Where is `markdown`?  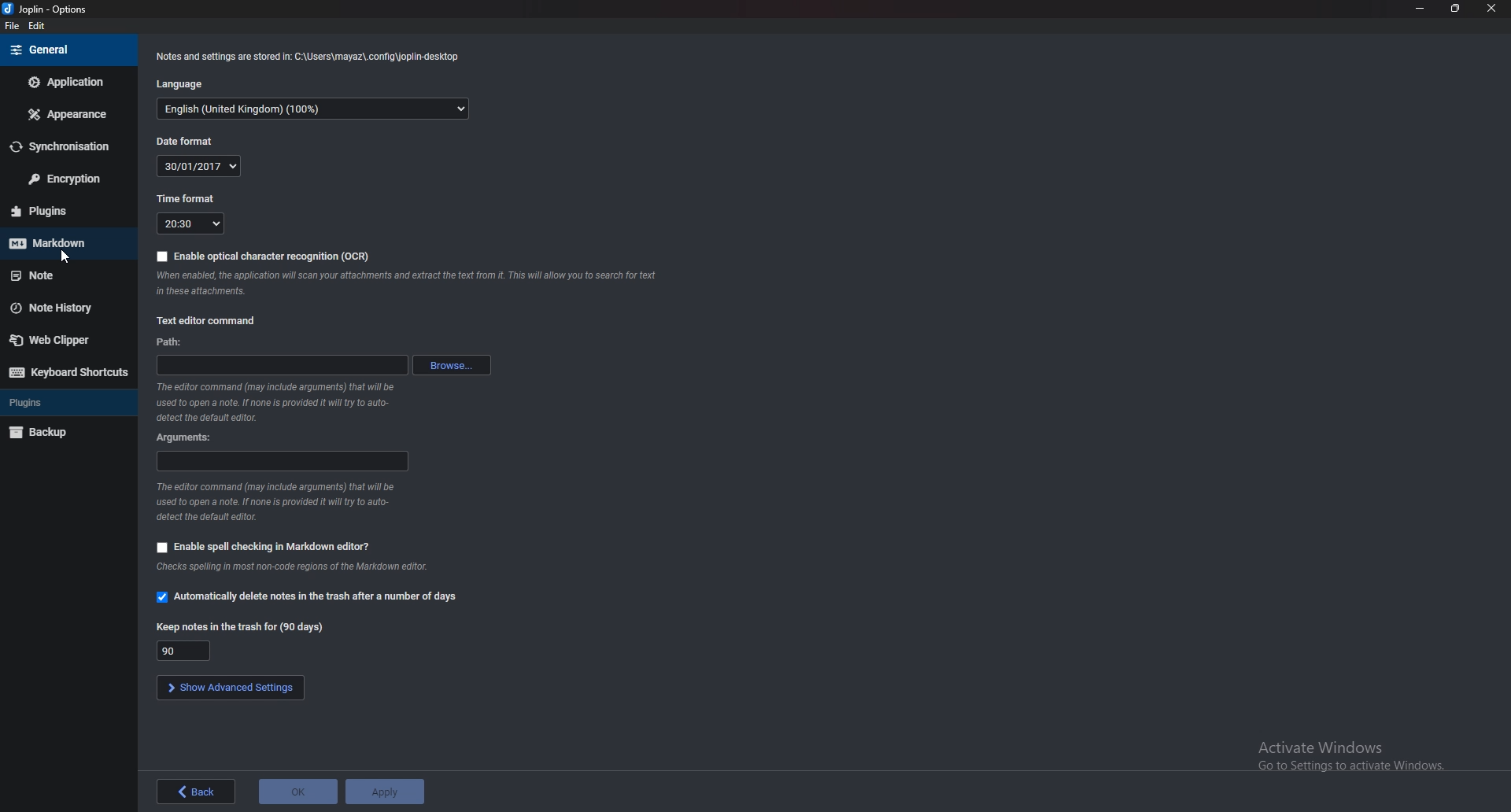
markdown is located at coordinates (63, 243).